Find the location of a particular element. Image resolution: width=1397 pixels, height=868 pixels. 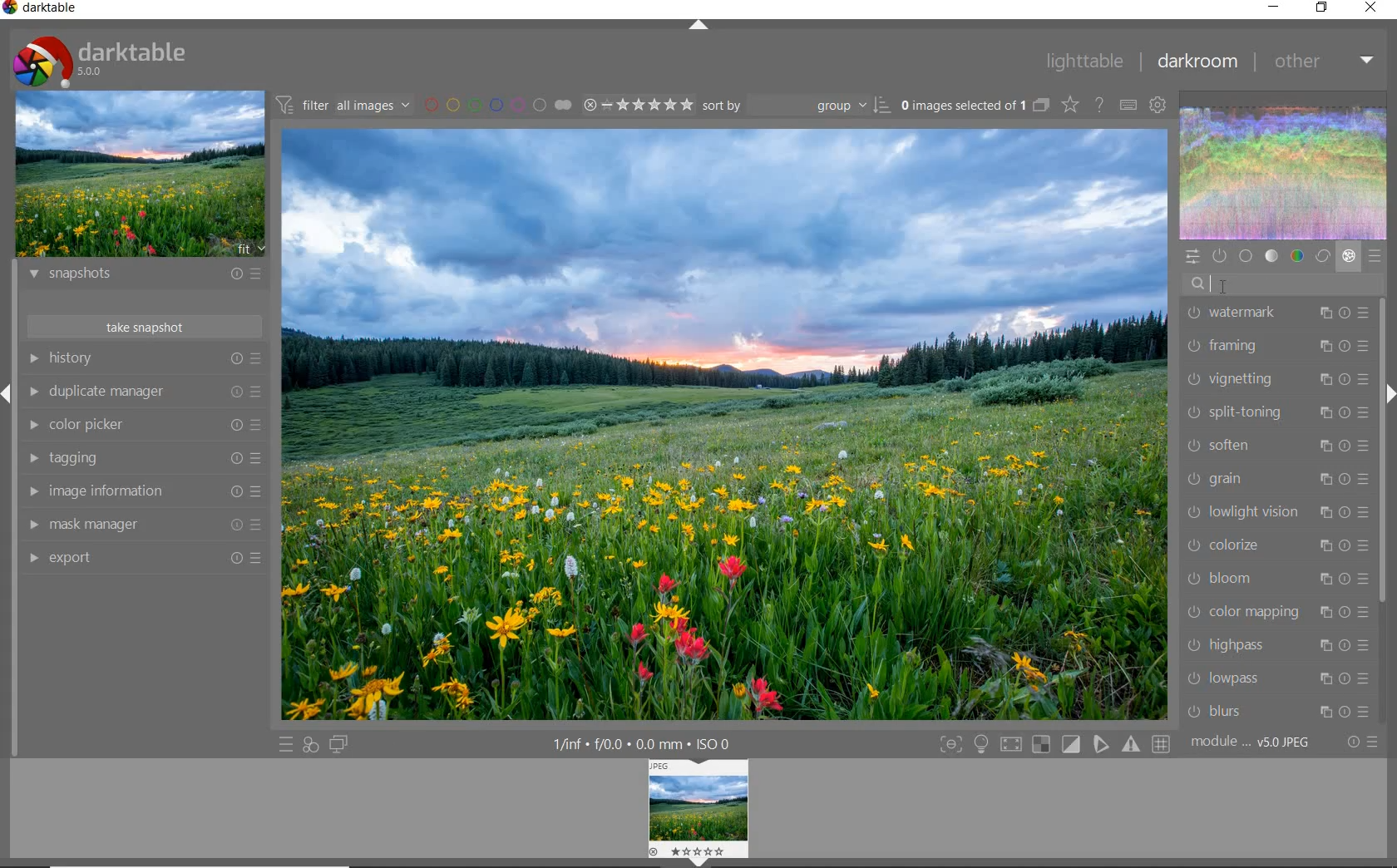

waveform is located at coordinates (1284, 172).